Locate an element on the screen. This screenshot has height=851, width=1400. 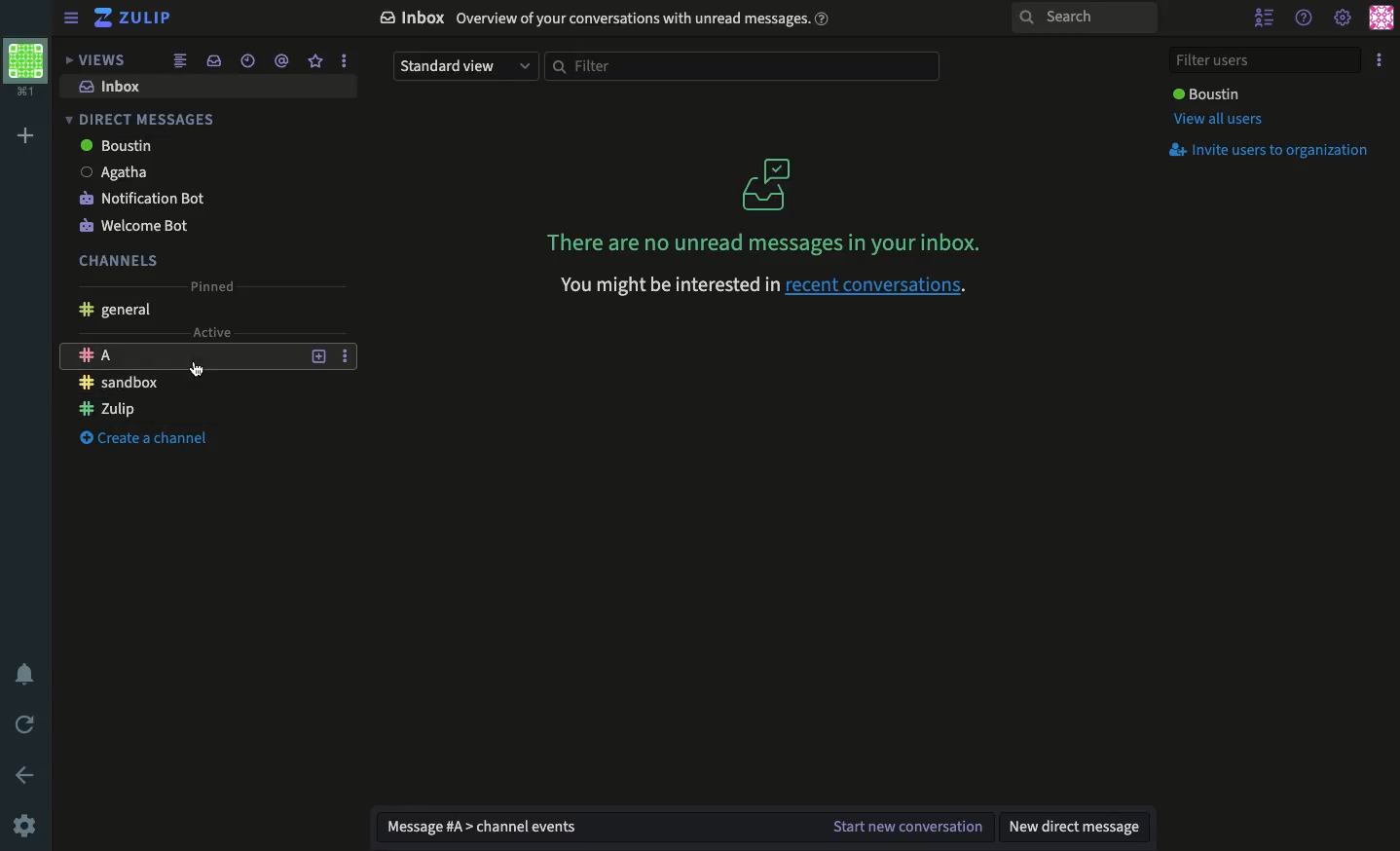
Create a channel is located at coordinates (145, 438).